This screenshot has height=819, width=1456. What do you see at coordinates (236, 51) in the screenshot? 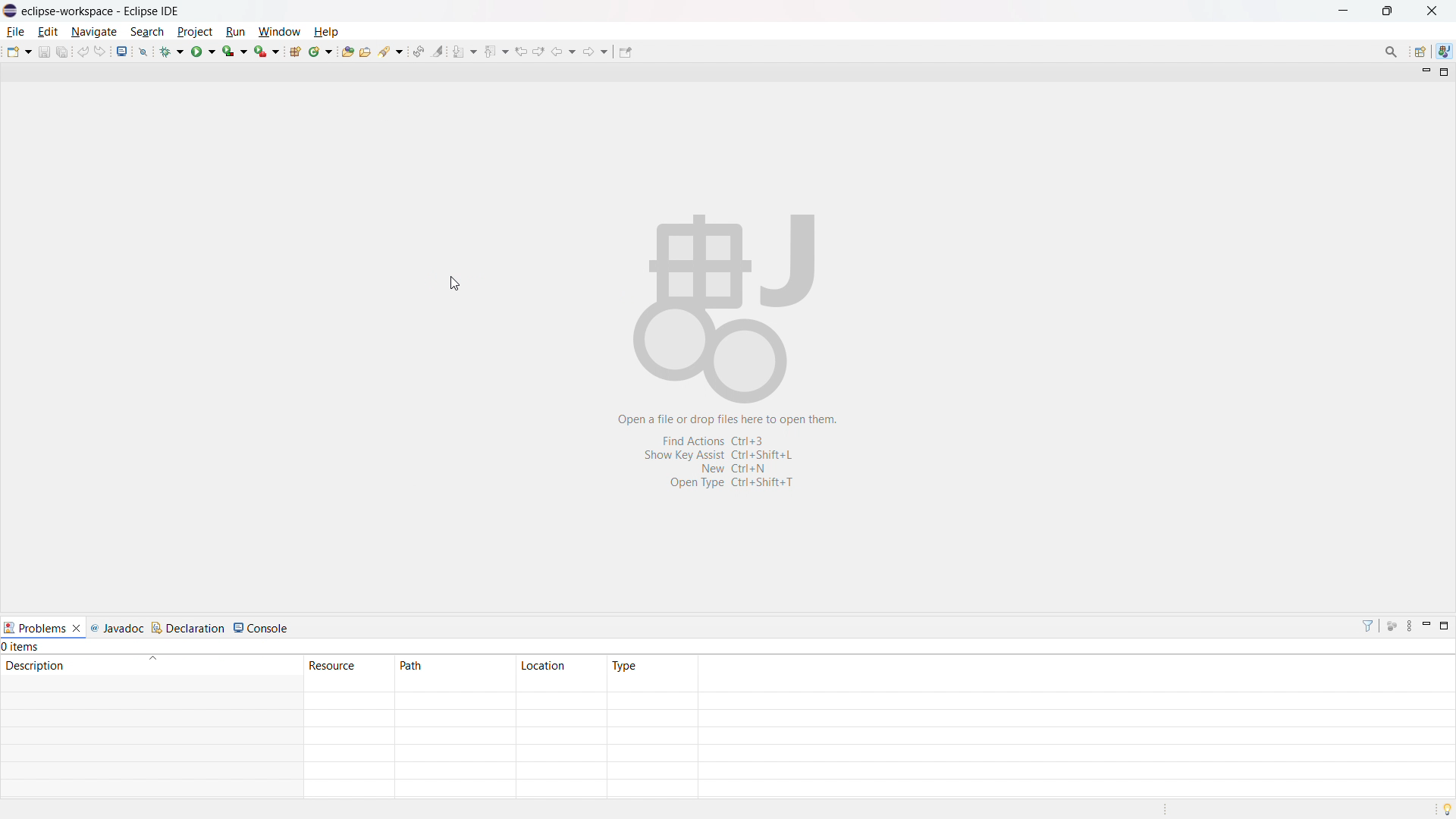
I see `coverage` at bounding box center [236, 51].